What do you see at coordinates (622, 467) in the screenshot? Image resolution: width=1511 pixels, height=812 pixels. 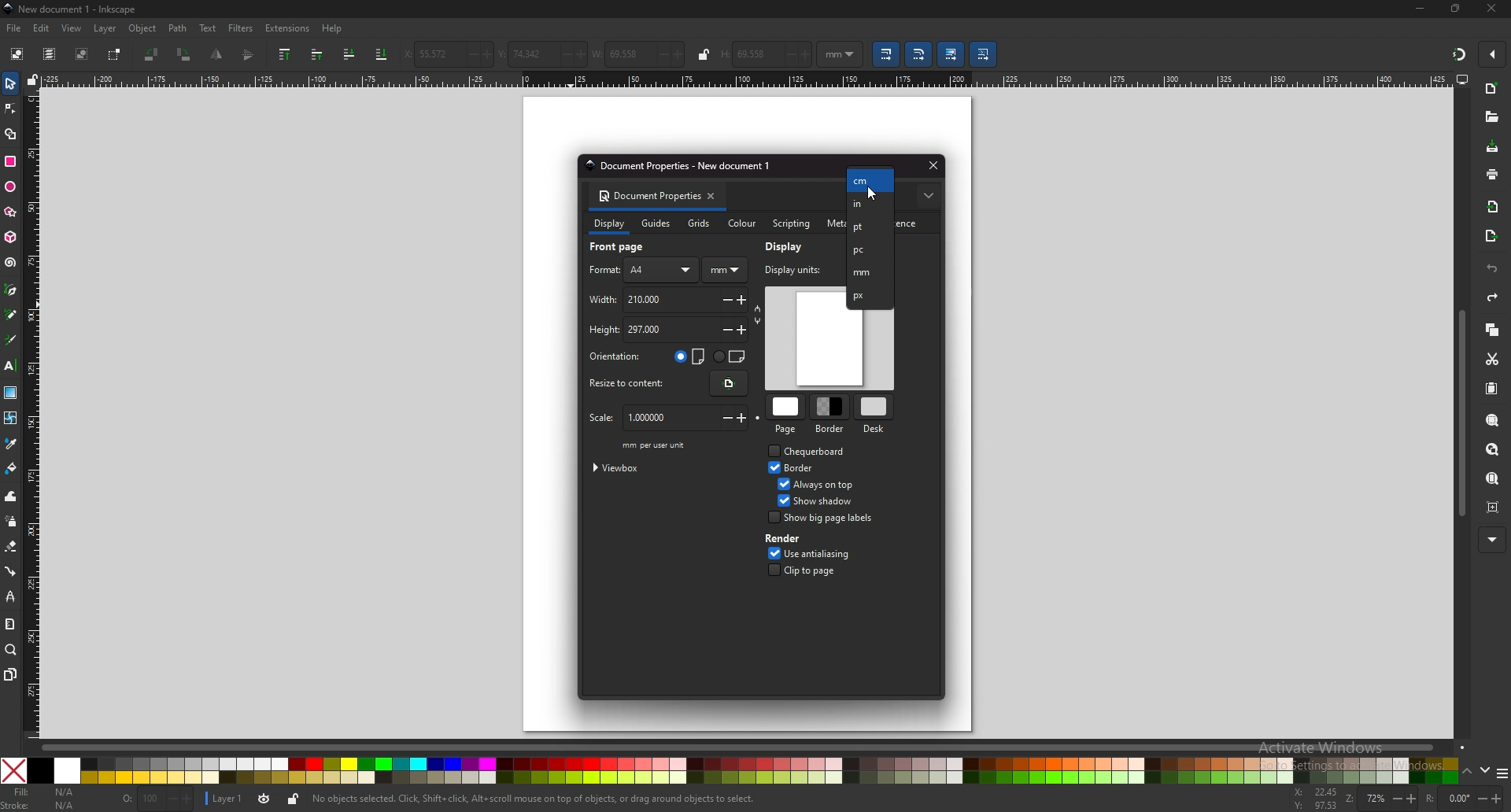 I see `viewbox` at bounding box center [622, 467].